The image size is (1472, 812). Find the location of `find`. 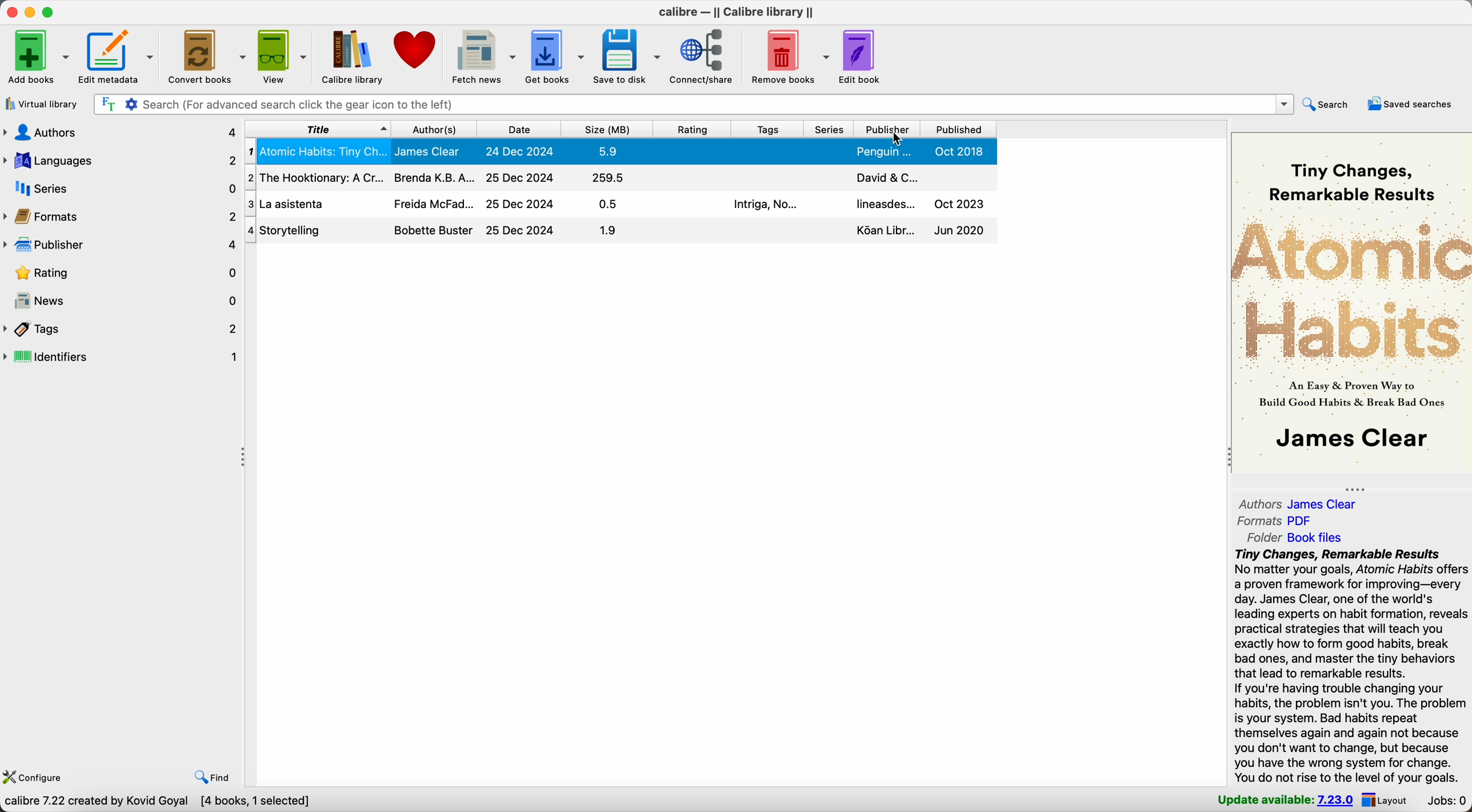

find is located at coordinates (213, 775).